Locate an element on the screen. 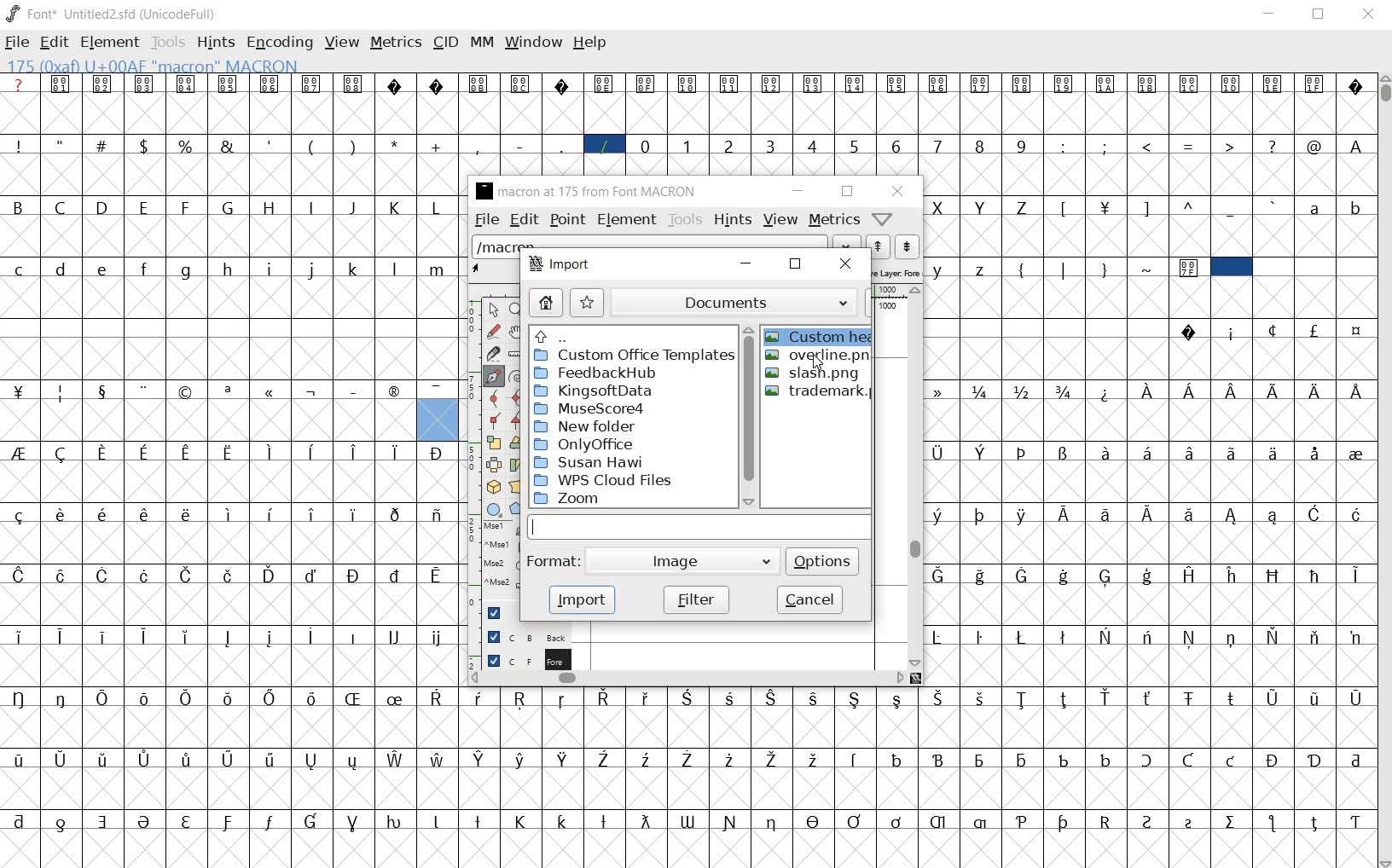 The width and height of the screenshot is (1392, 868). Symbol is located at coordinates (1064, 512).